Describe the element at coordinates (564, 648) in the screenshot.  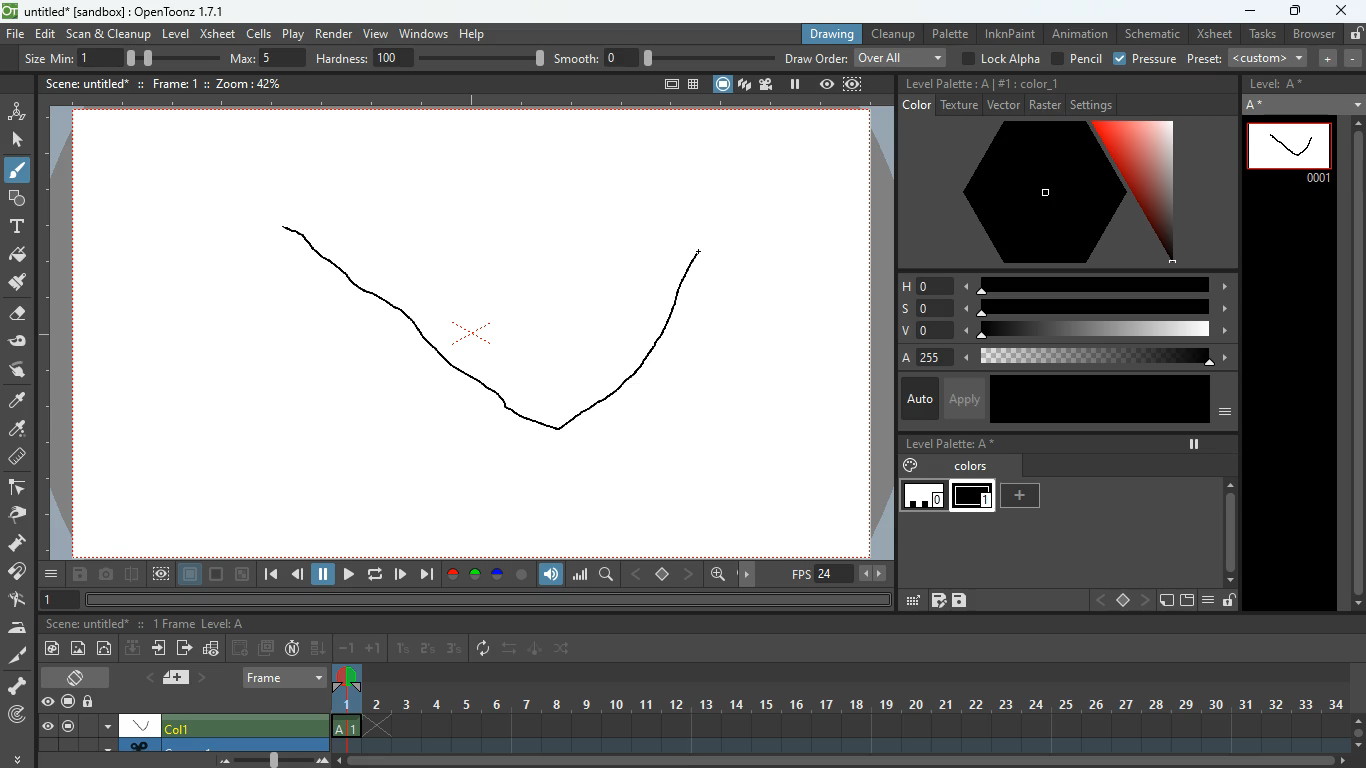
I see `swap` at that location.